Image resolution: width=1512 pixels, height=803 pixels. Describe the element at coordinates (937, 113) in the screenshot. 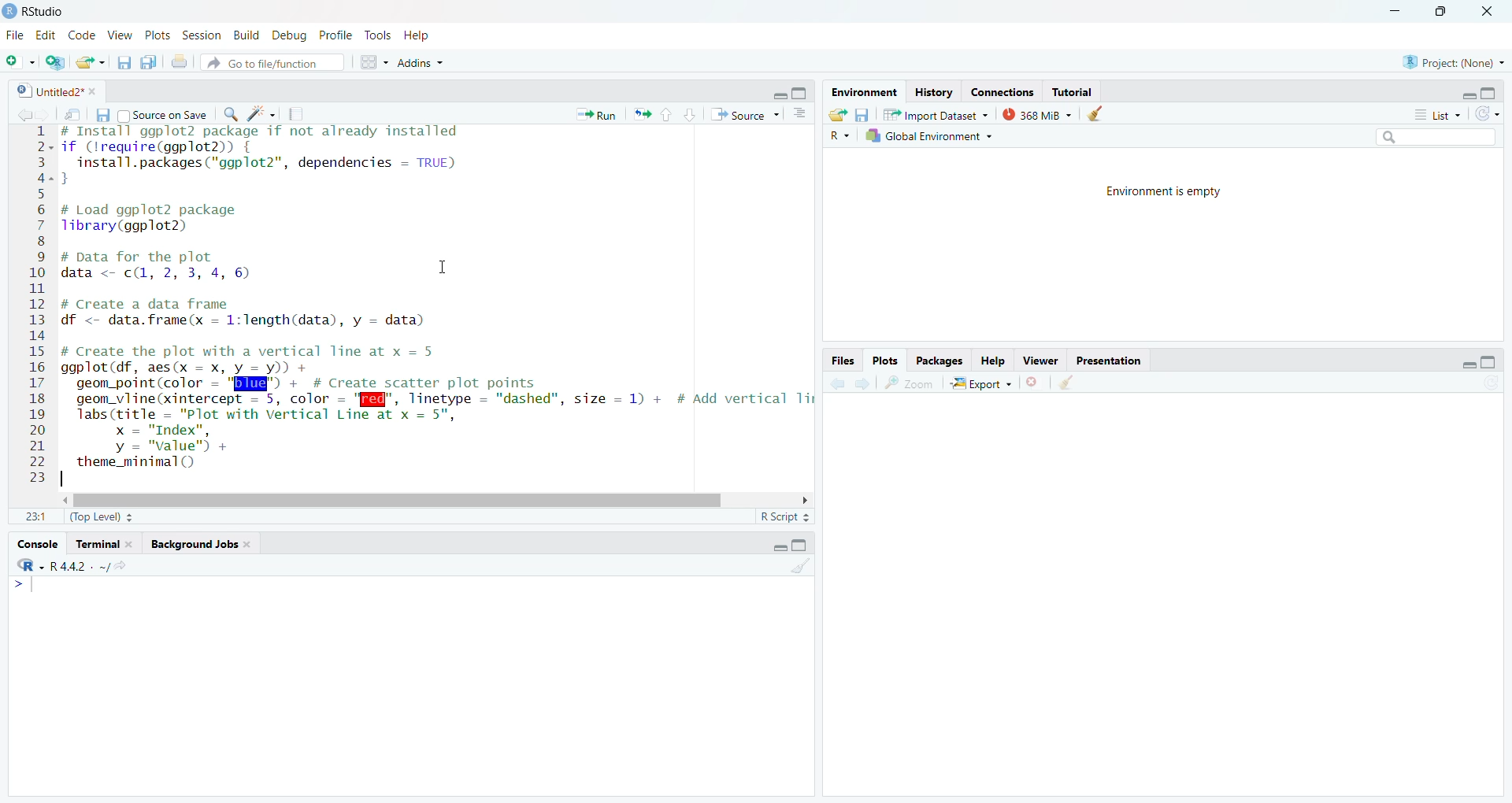

I see `Import Dataset ~` at that location.